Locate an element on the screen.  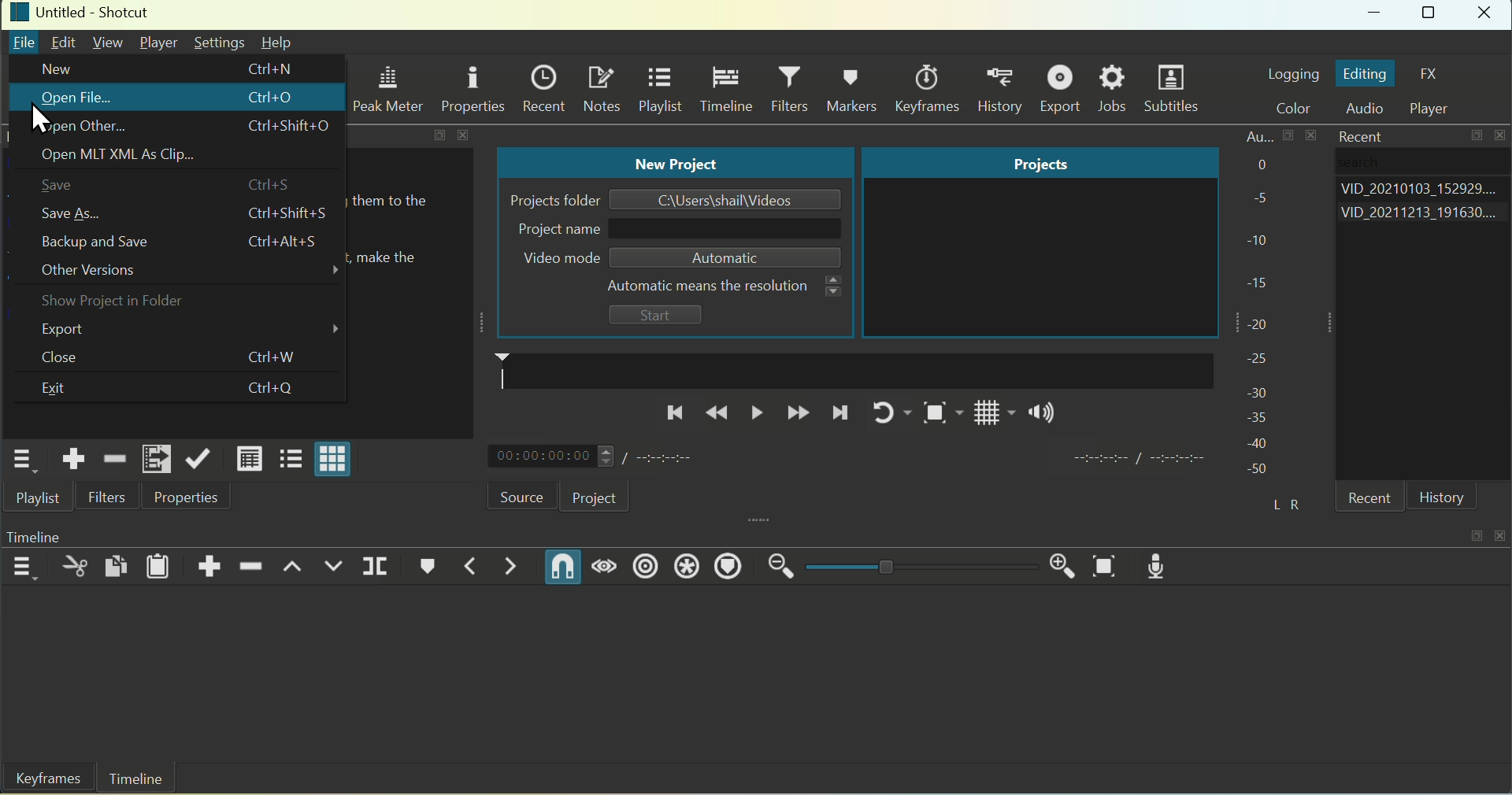
Videos list is located at coordinates (1424, 215).